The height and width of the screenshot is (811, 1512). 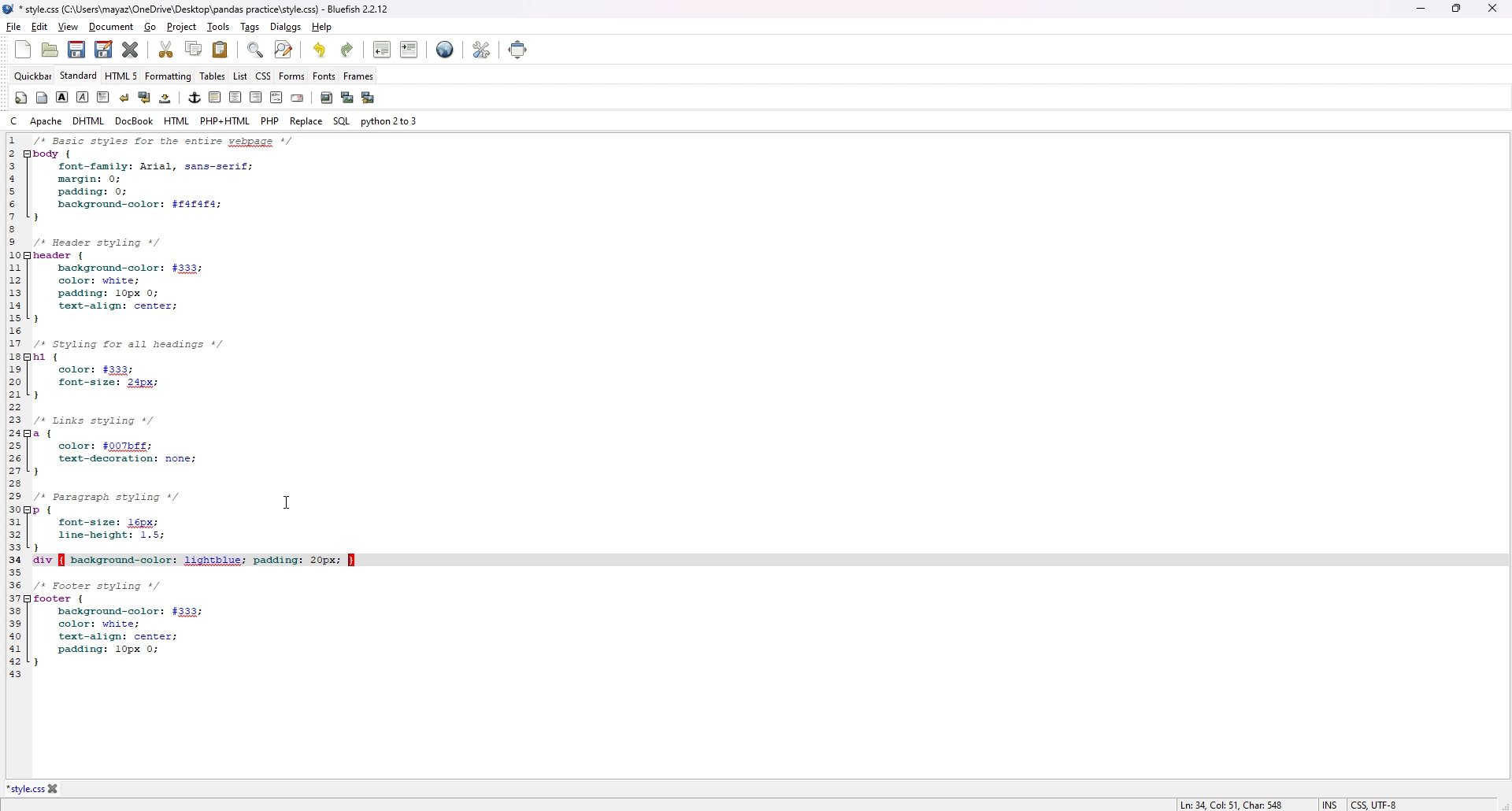 I want to click on full screen, so click(x=517, y=50).